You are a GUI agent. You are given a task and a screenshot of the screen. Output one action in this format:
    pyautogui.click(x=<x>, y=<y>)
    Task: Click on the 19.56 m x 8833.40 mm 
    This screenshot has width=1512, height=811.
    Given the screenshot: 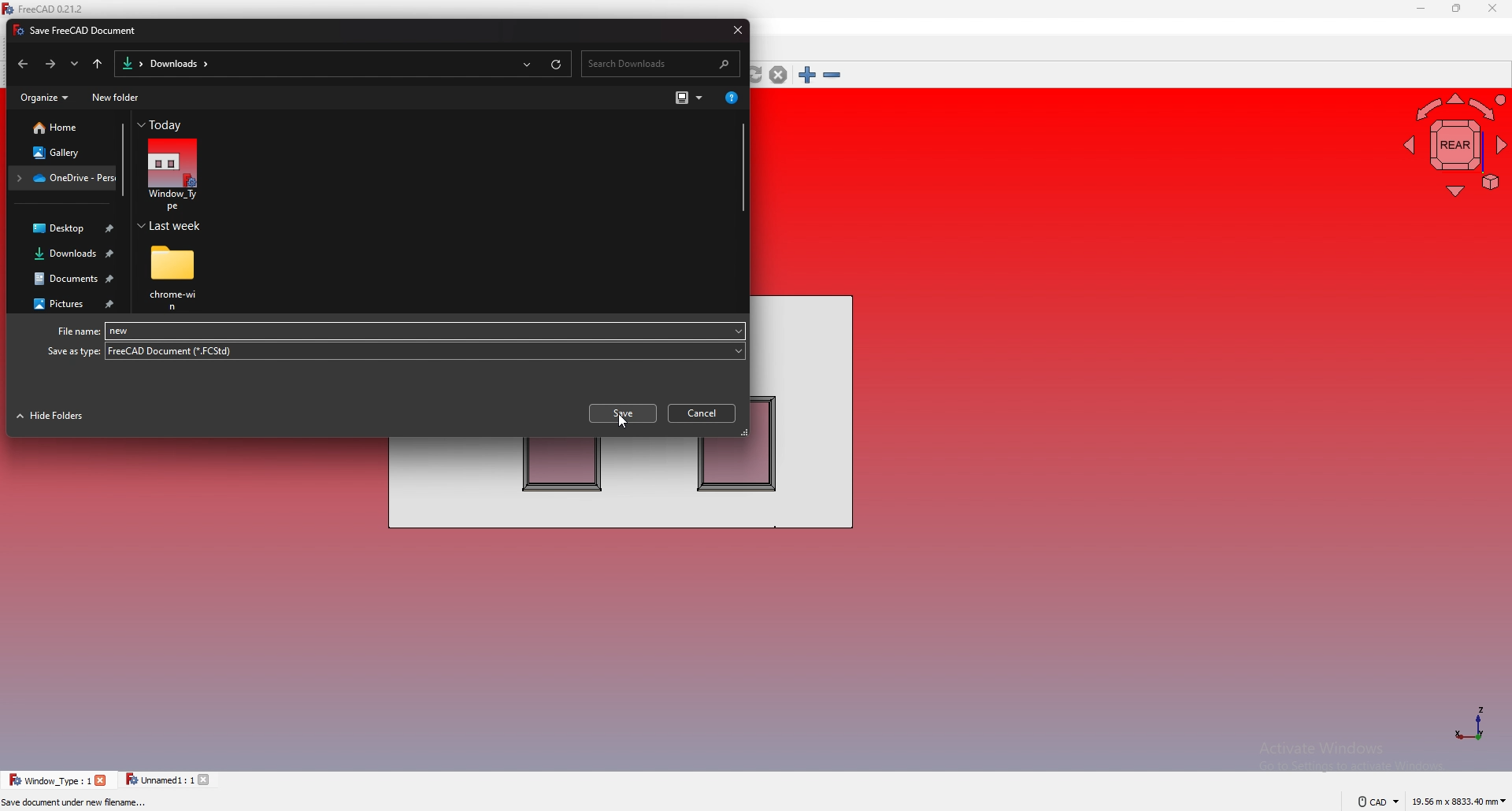 What is the action you would take?
    pyautogui.click(x=1459, y=799)
    